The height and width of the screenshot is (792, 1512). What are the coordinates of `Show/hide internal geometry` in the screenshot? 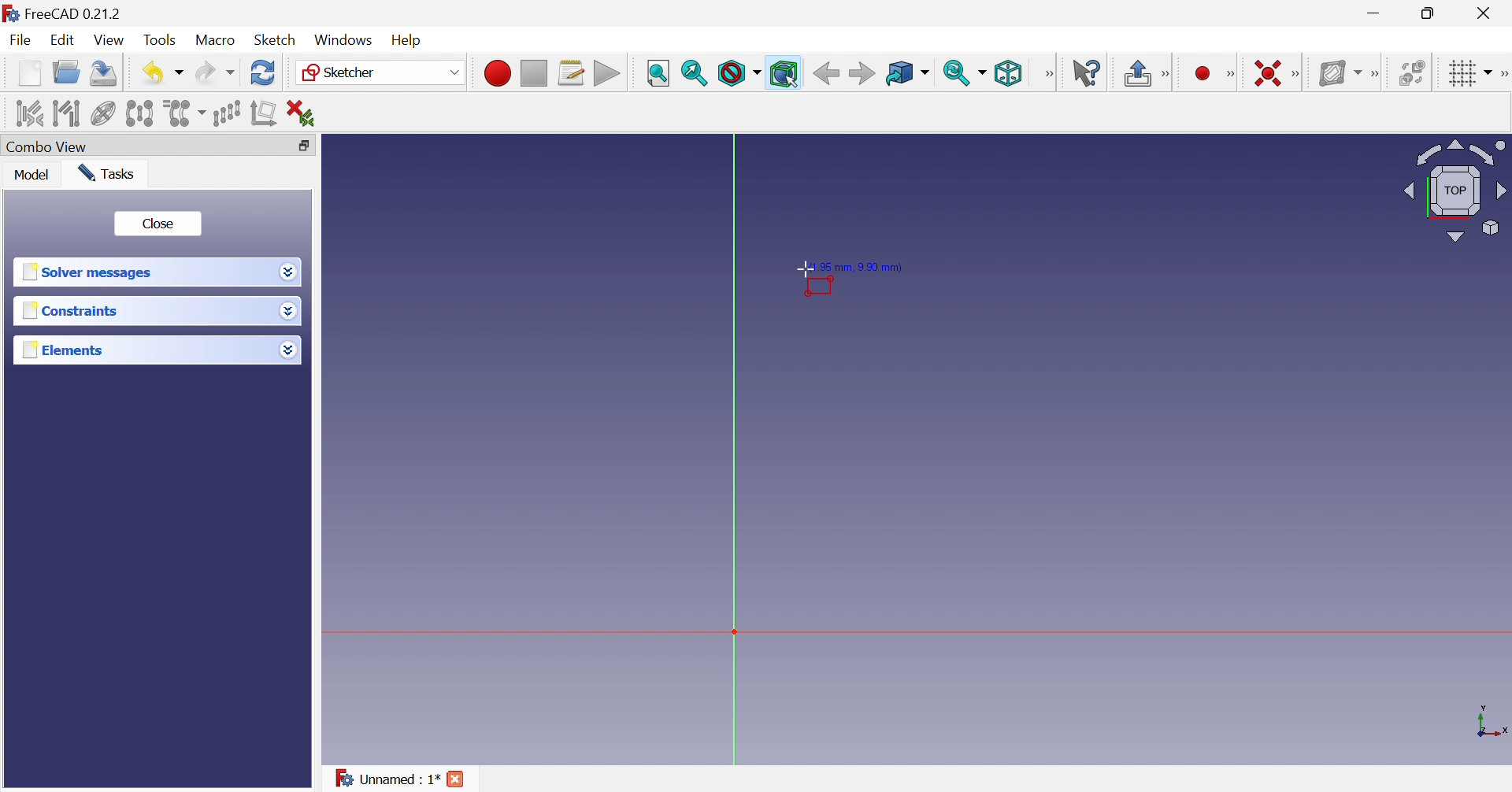 It's located at (103, 113).